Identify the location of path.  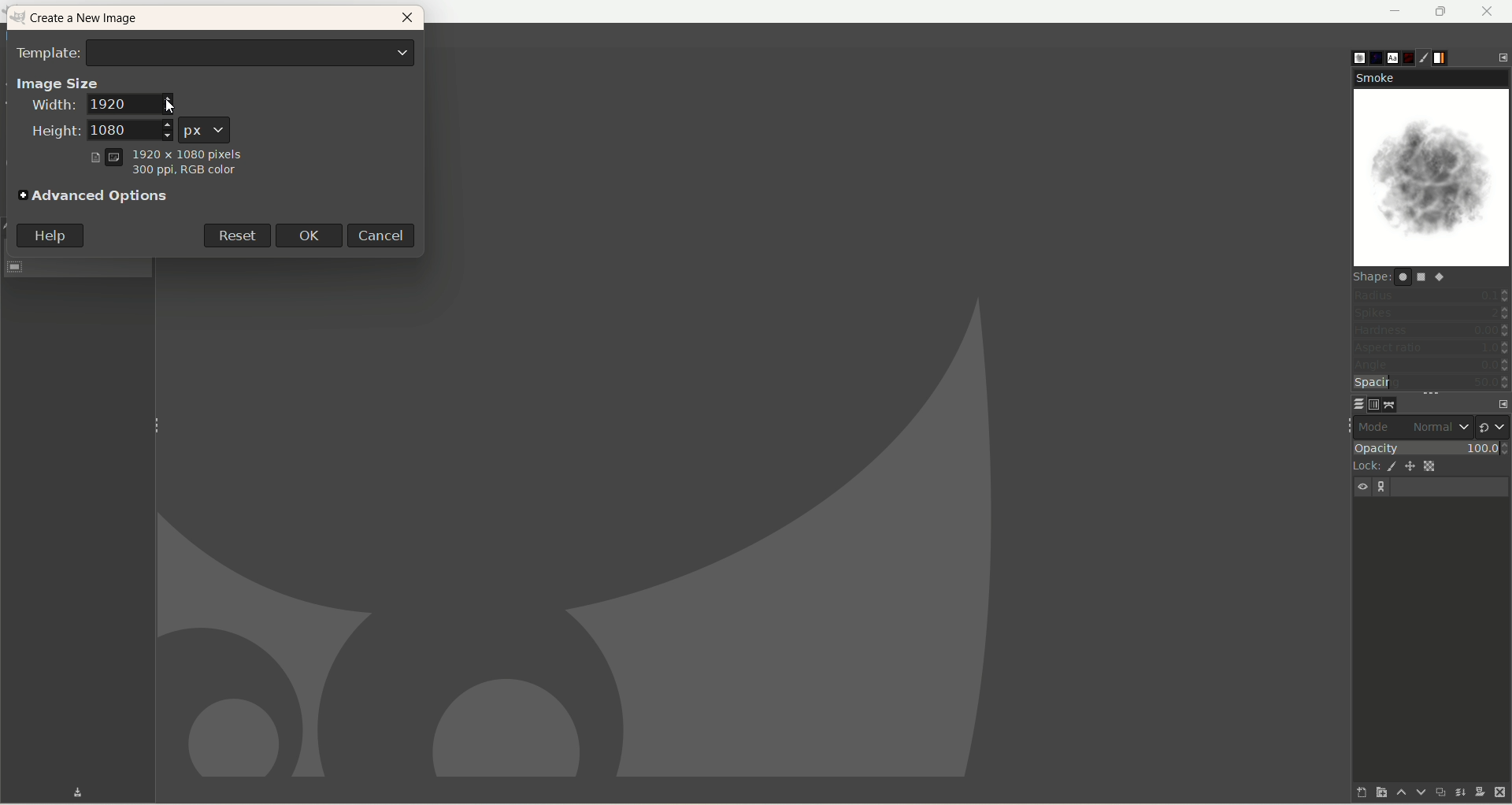
(1391, 404).